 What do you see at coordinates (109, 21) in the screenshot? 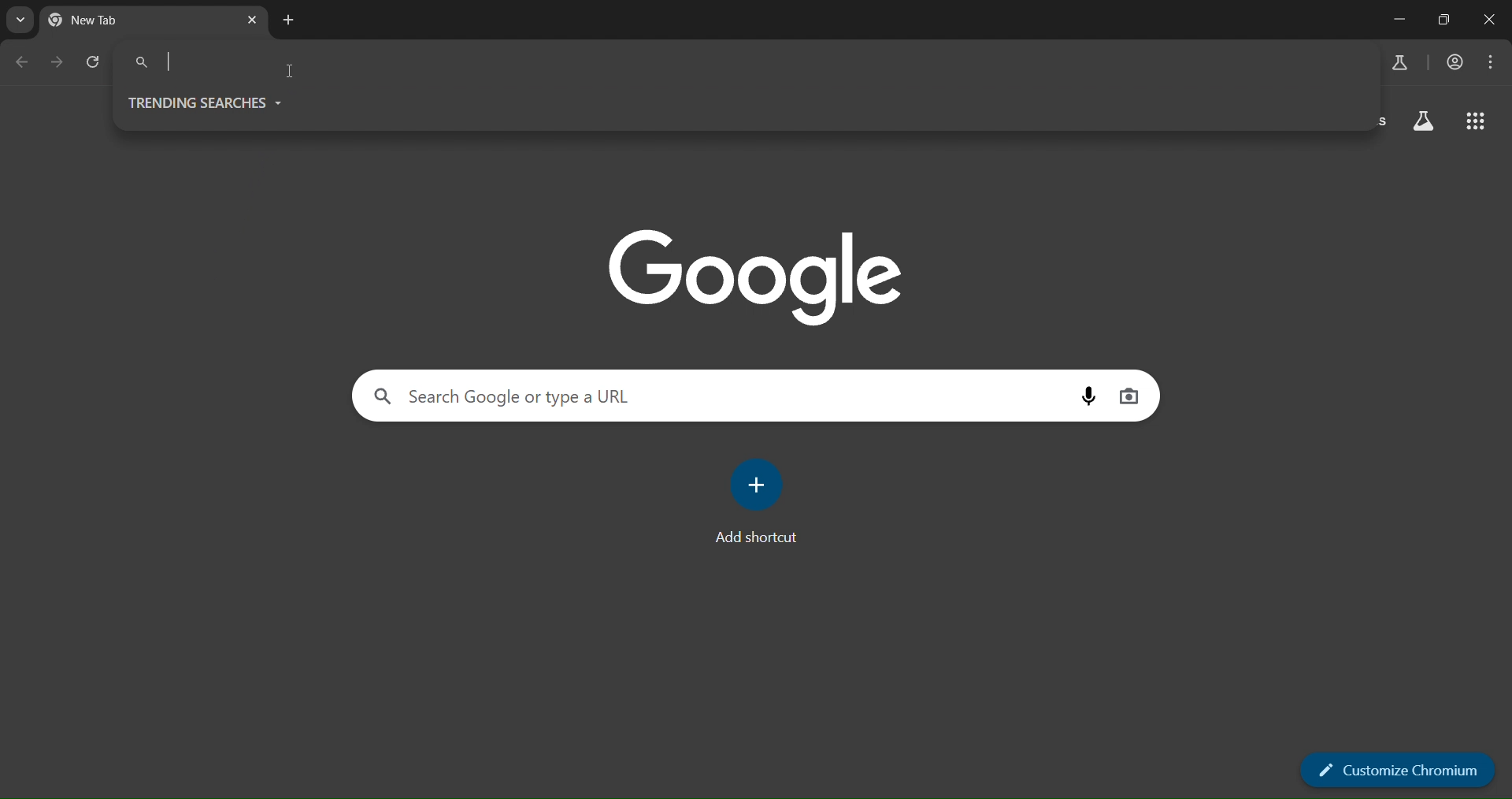
I see `tab` at bounding box center [109, 21].